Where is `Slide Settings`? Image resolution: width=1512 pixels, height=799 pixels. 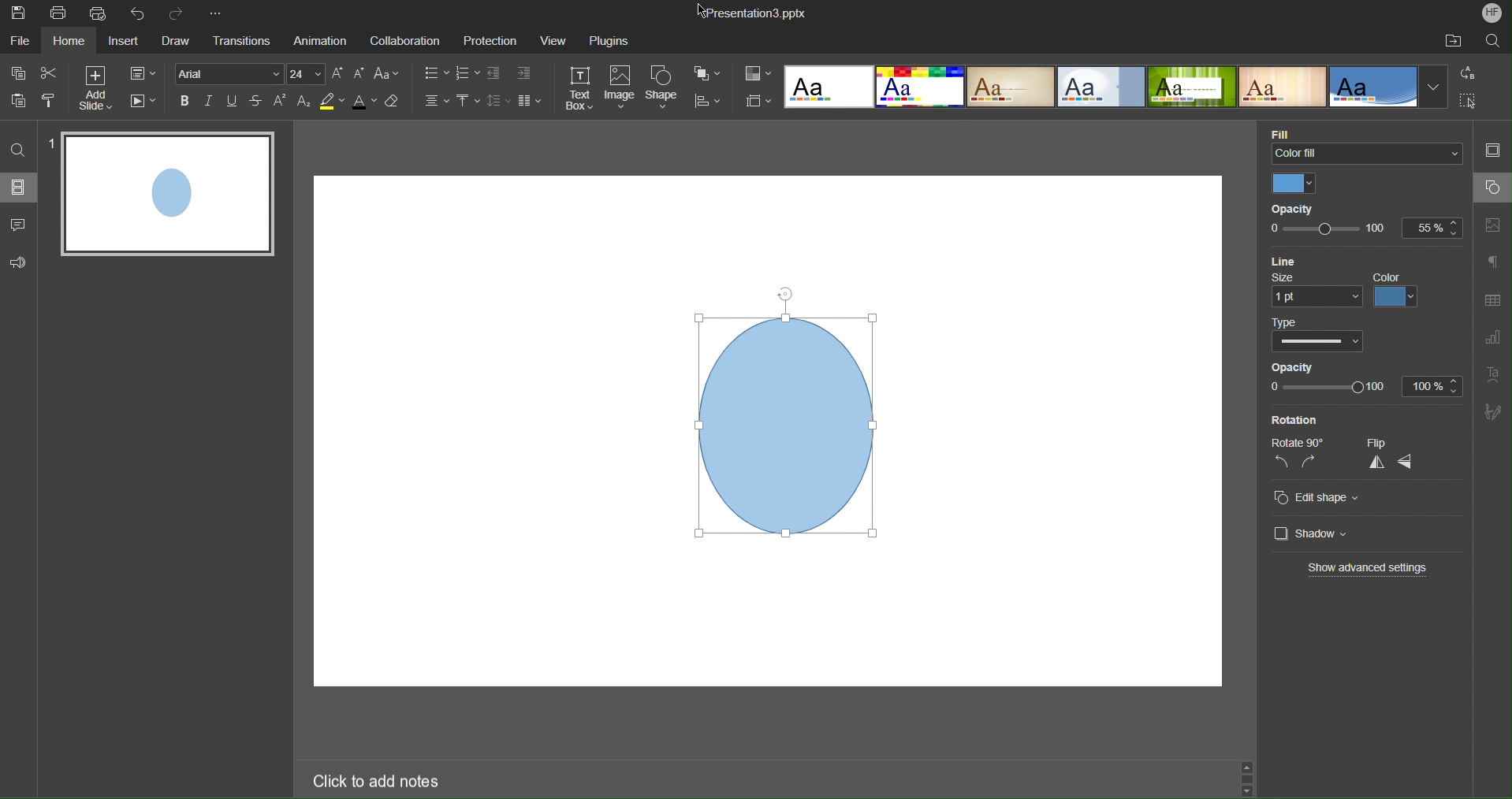 Slide Settings is located at coordinates (1494, 147).